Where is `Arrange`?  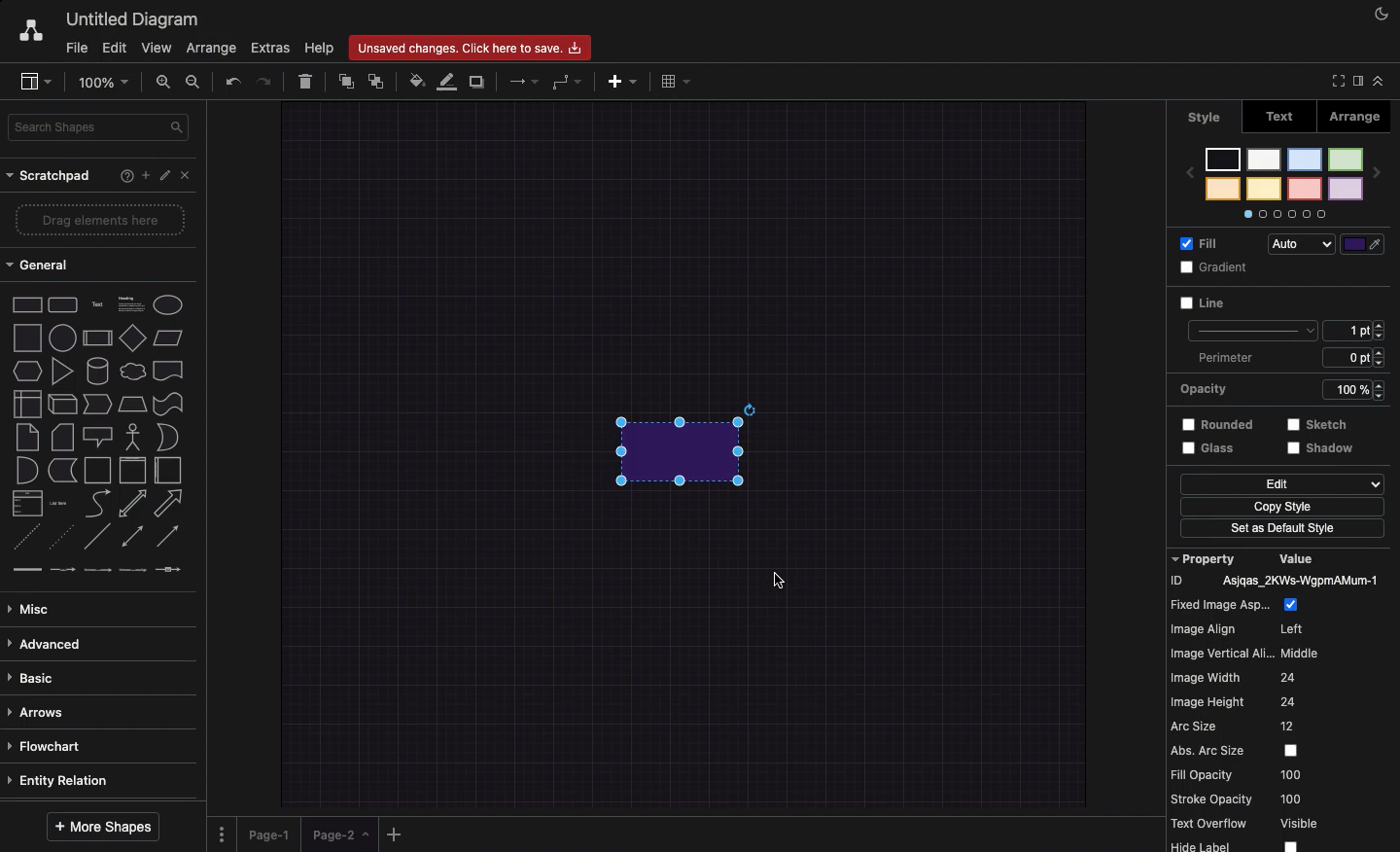 Arrange is located at coordinates (213, 50).